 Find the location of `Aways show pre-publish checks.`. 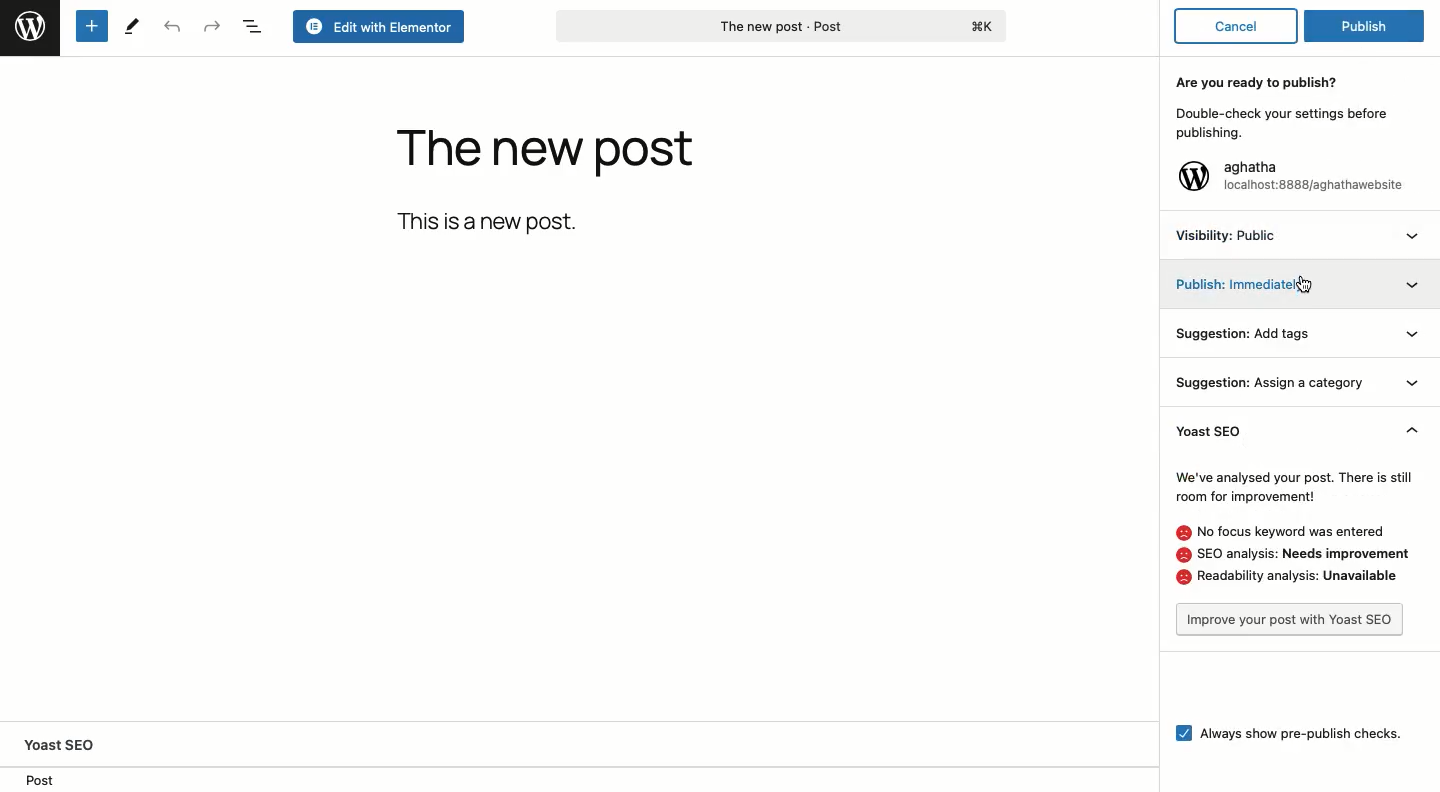

Aways show pre-publish checks. is located at coordinates (1281, 733).